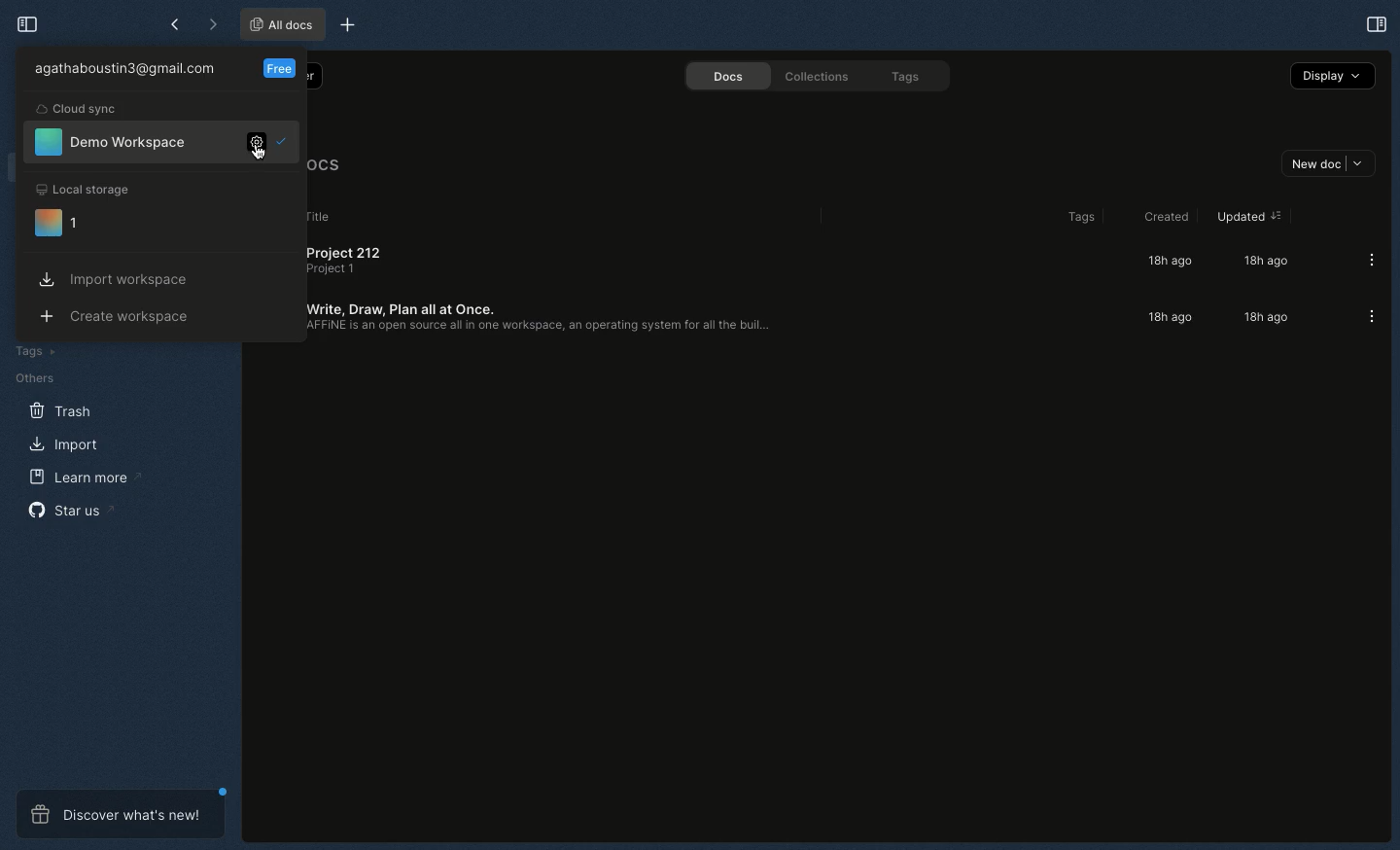 Image resolution: width=1400 pixels, height=850 pixels. What do you see at coordinates (1167, 319) in the screenshot?
I see `18h ago` at bounding box center [1167, 319].